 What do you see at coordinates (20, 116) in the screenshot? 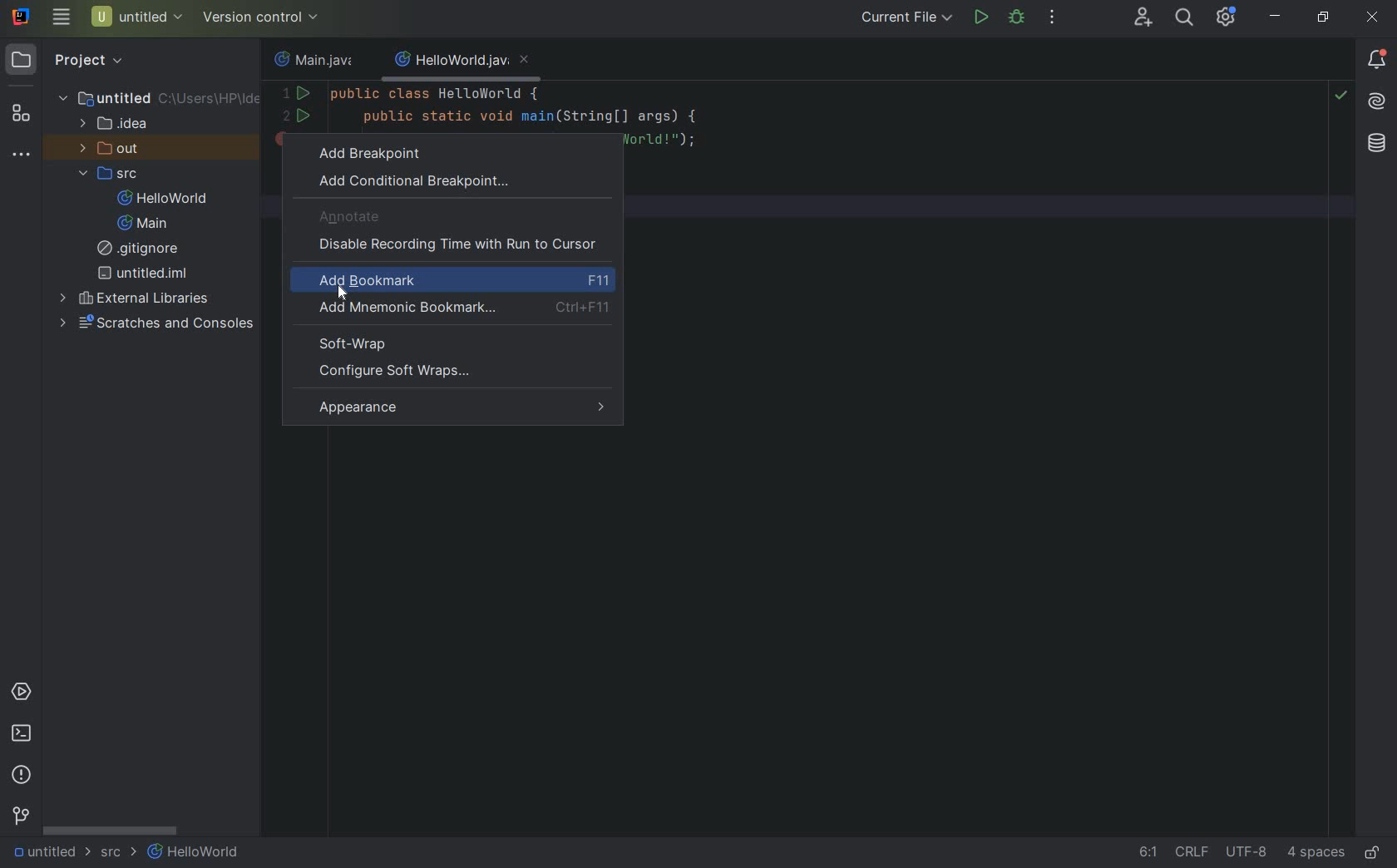
I see `structure` at bounding box center [20, 116].